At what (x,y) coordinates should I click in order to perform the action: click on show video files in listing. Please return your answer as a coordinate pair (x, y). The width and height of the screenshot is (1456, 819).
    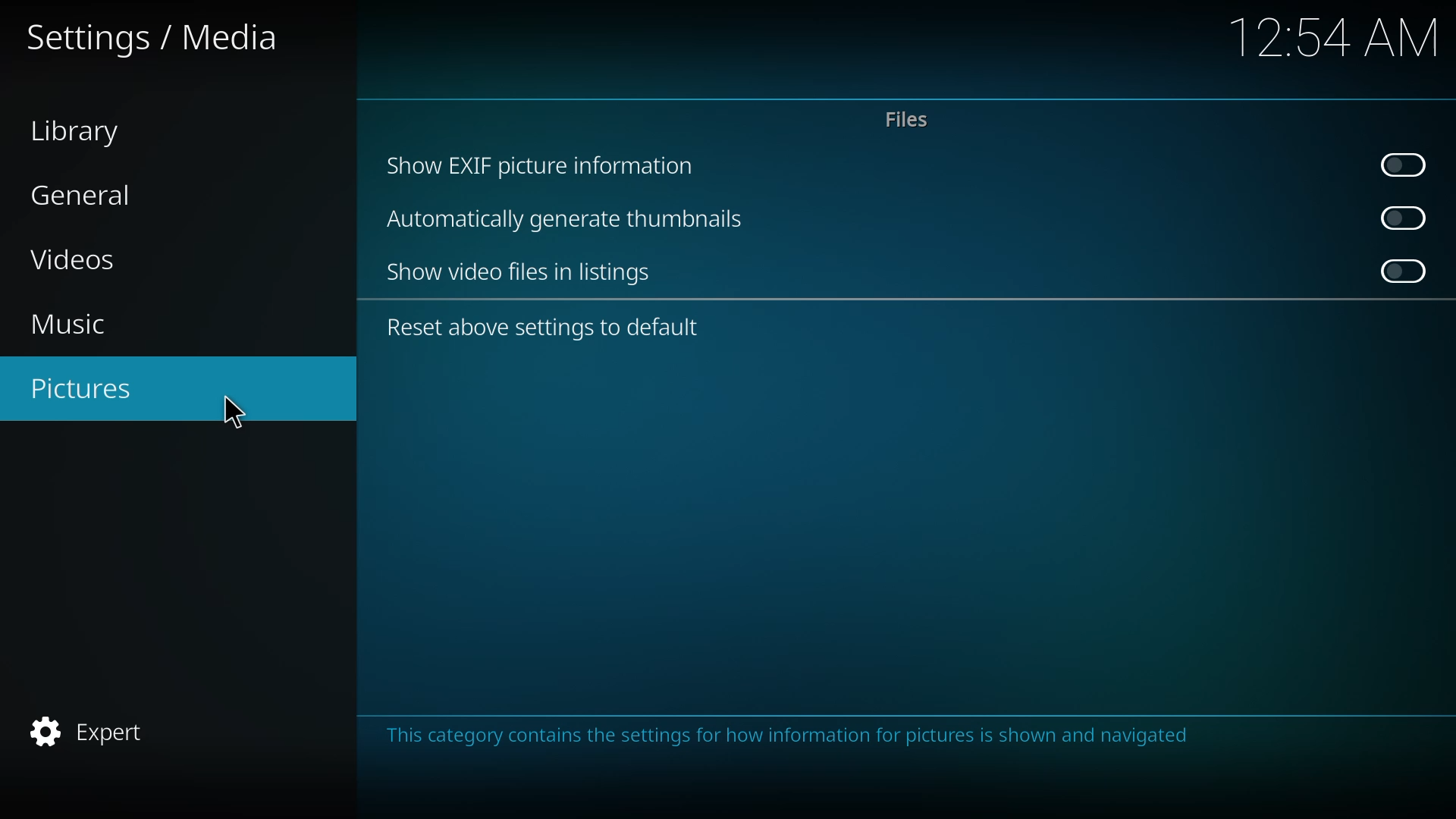
    Looking at the image, I should click on (524, 273).